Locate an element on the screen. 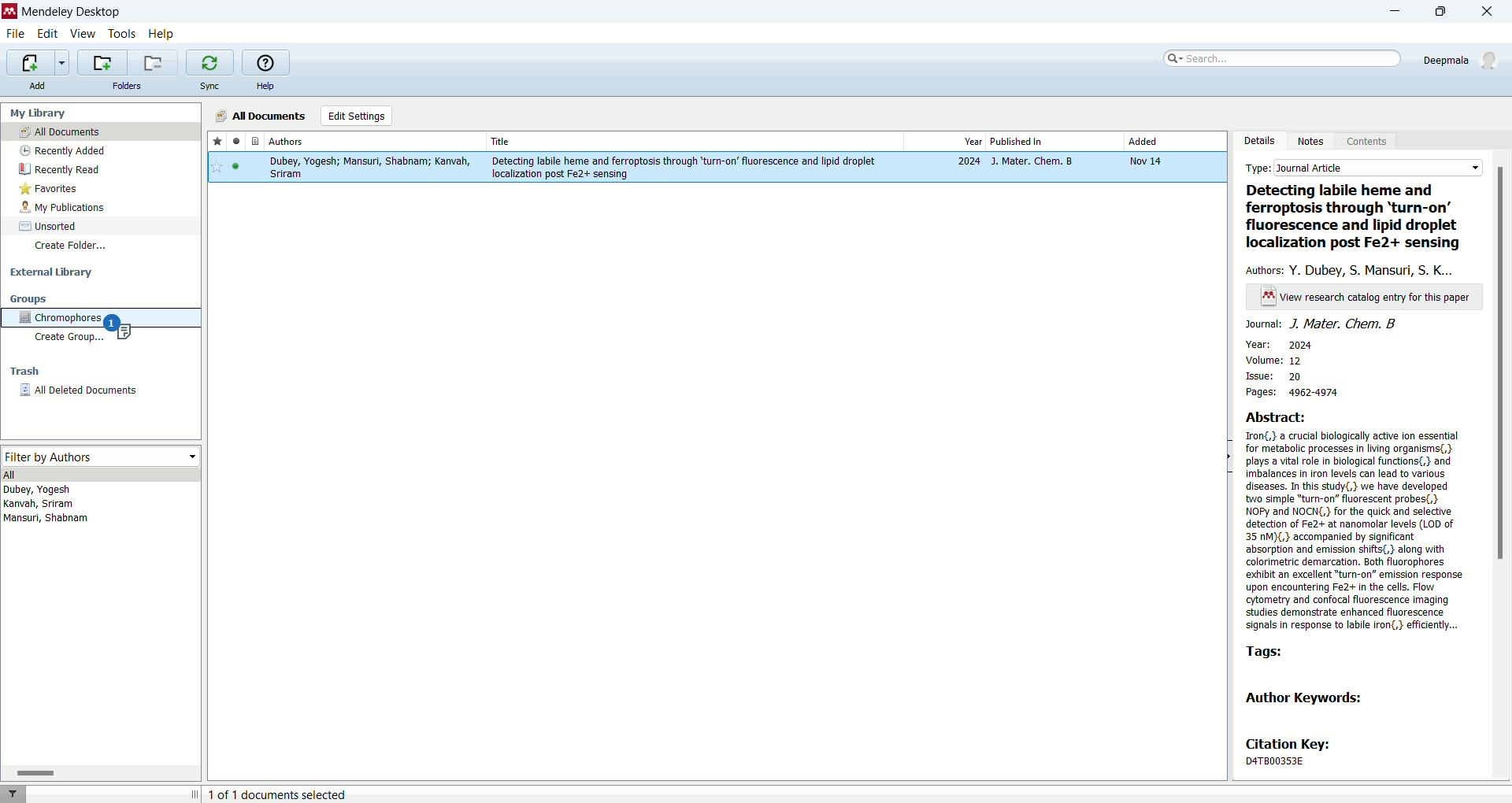  file is located at coordinates (15, 35).